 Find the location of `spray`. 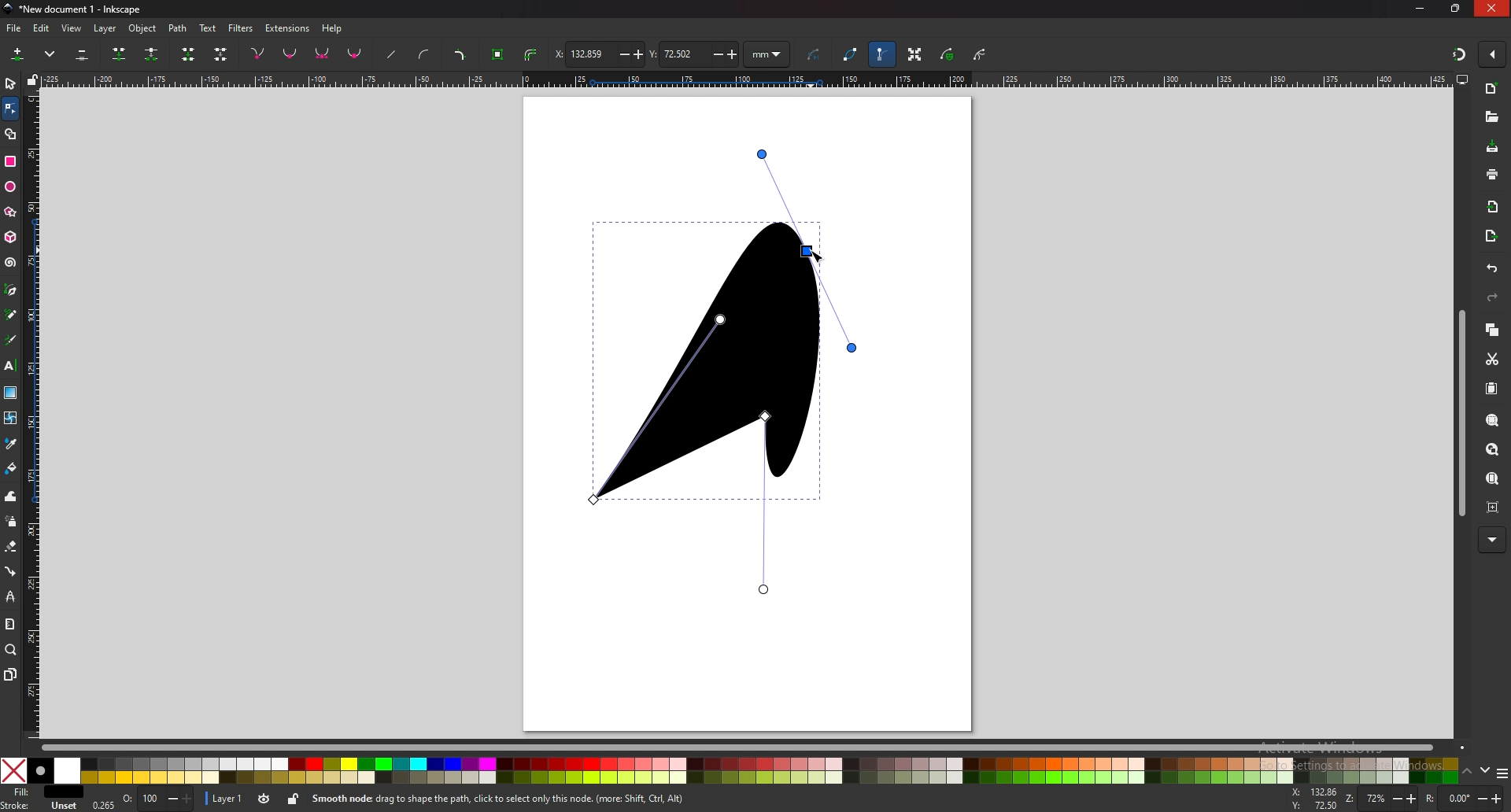

spray is located at coordinates (11, 521).